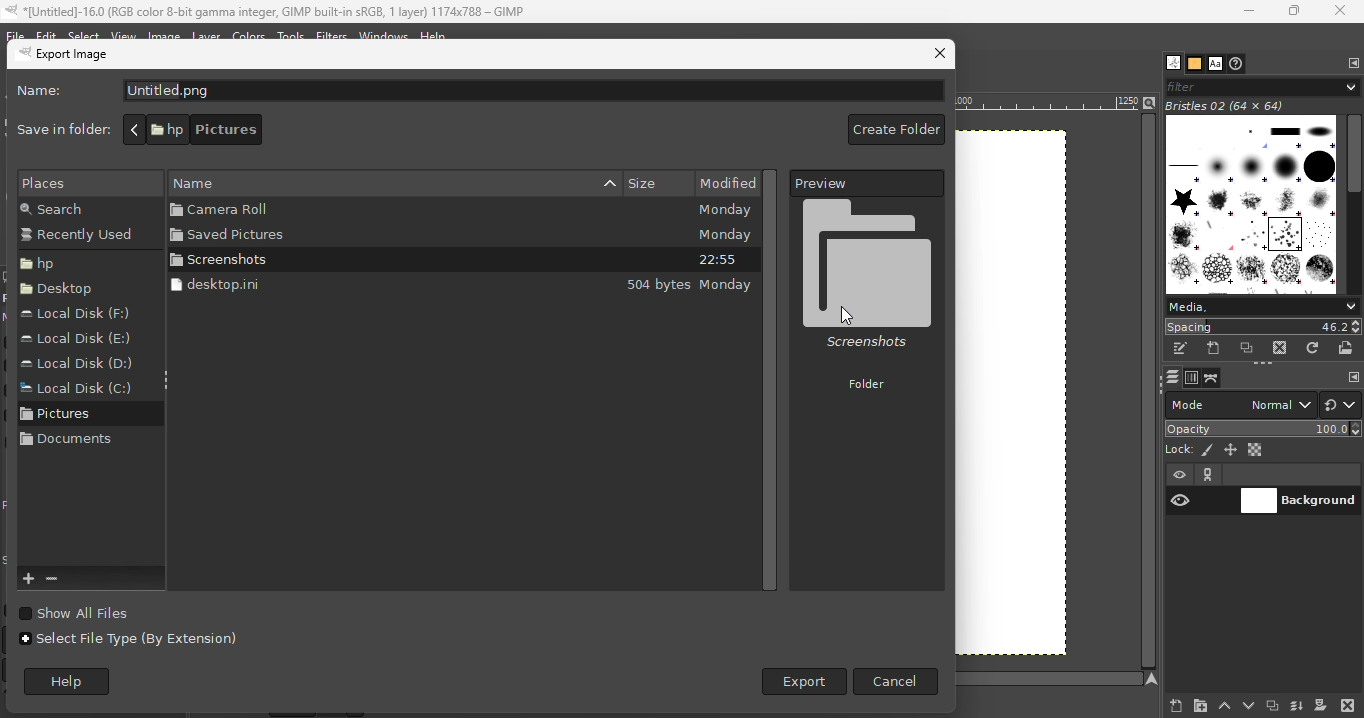 The image size is (1364, 718). I want to click on Desktop, so click(63, 292).